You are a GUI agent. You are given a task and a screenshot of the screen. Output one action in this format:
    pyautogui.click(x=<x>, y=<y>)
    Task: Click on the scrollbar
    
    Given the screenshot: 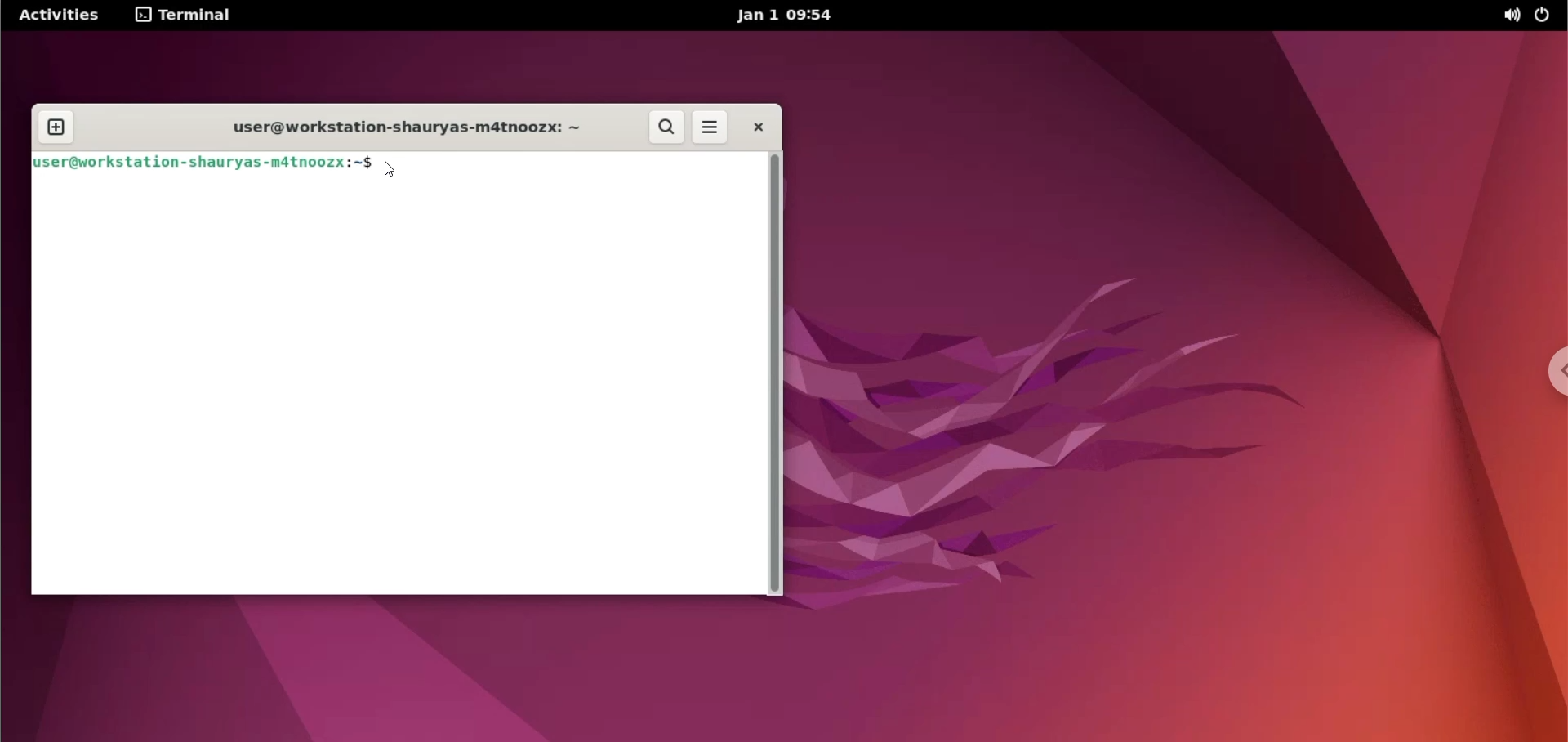 What is the action you would take?
    pyautogui.click(x=777, y=374)
    